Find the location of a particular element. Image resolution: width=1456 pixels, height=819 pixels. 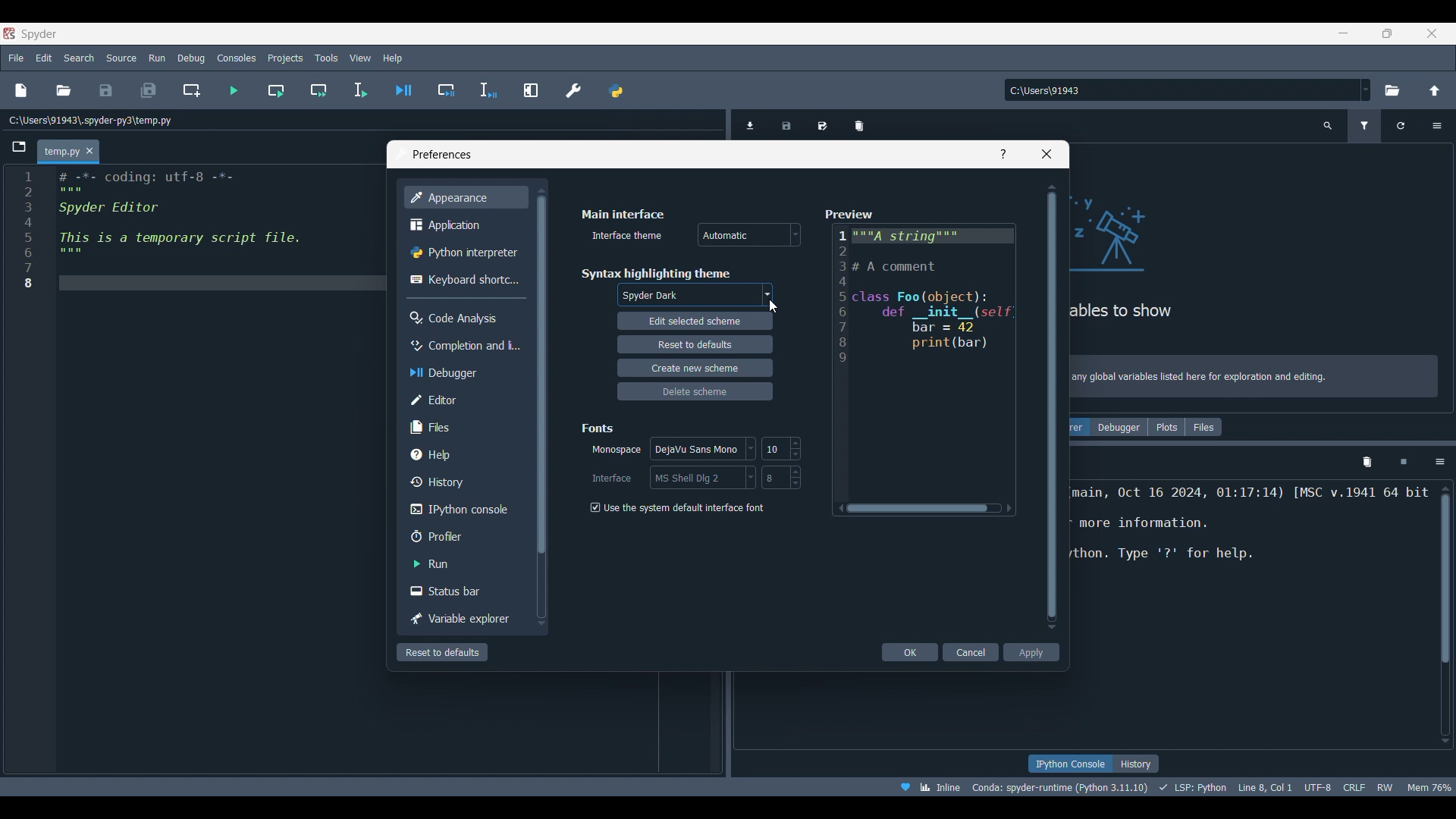

Browse a working directory is located at coordinates (1392, 90).